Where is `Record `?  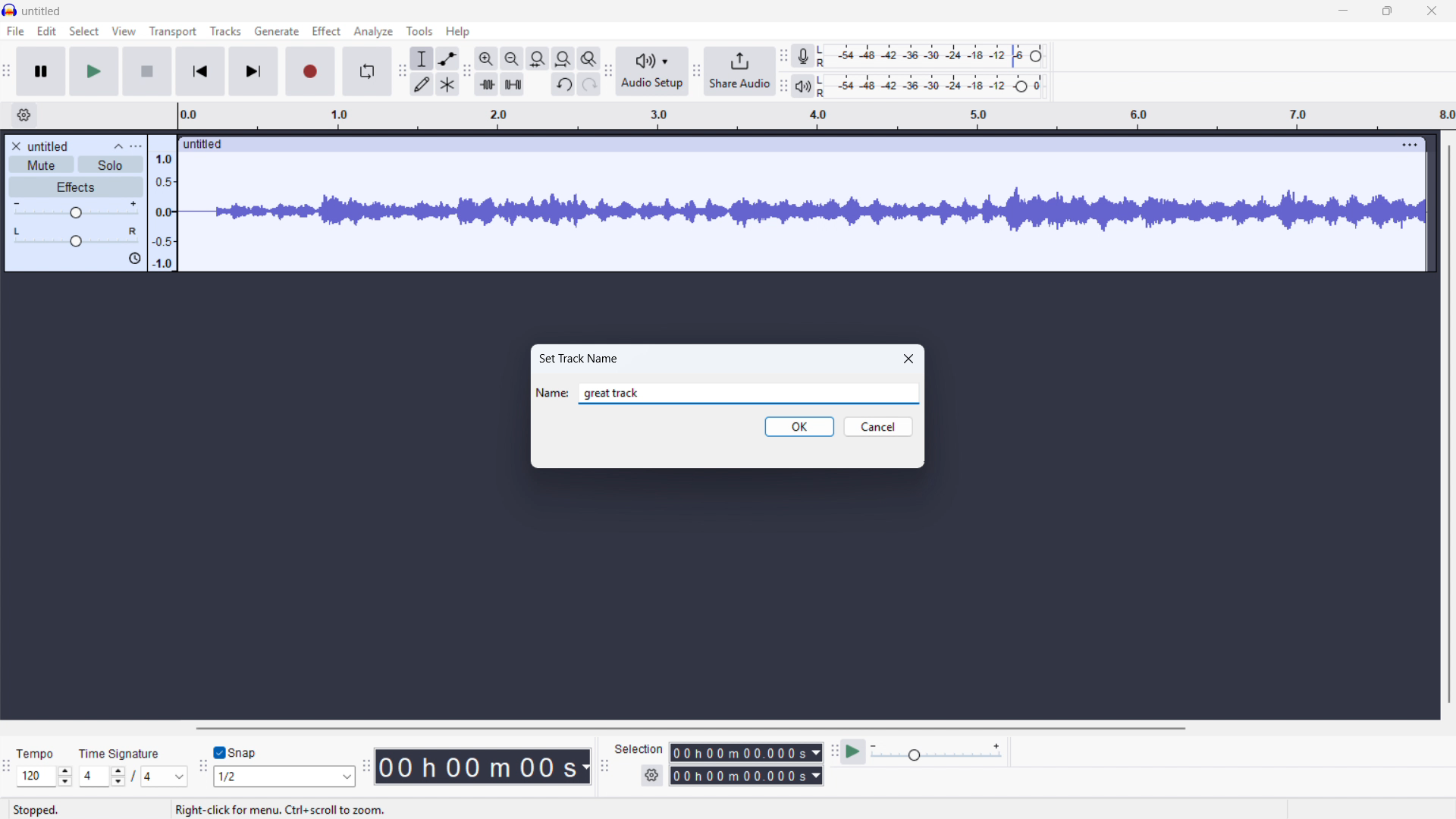 Record  is located at coordinates (310, 71).